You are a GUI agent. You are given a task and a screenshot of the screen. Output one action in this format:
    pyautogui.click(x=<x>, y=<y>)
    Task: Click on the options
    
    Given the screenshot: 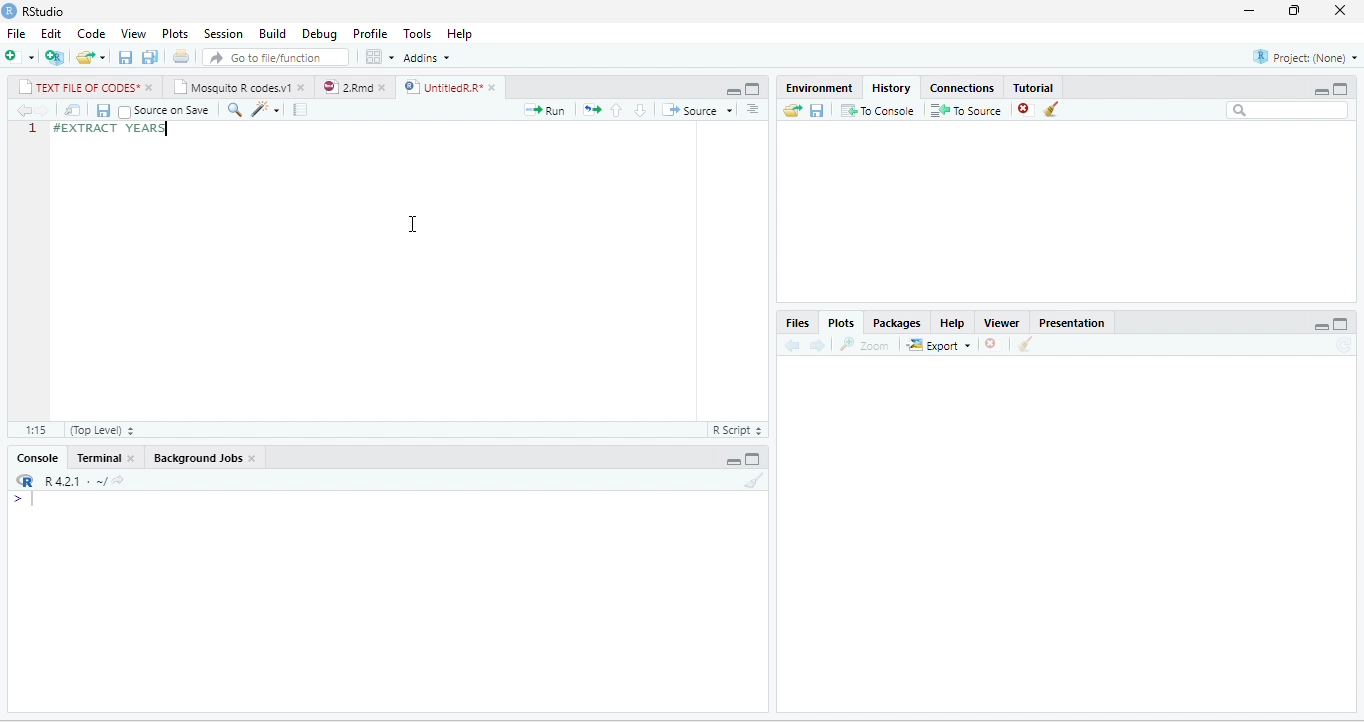 What is the action you would take?
    pyautogui.click(x=381, y=57)
    